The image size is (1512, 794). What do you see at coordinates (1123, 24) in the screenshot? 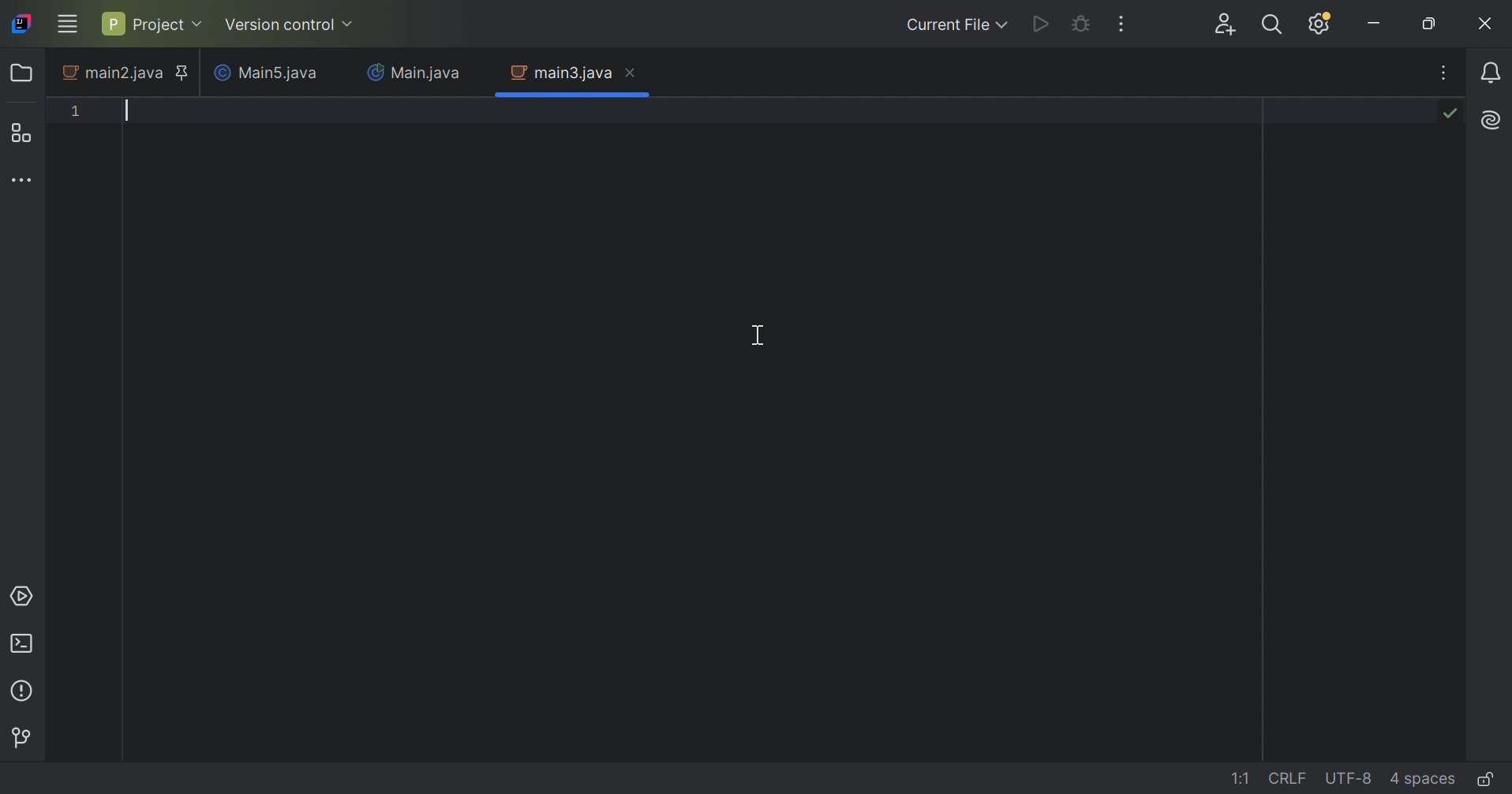
I see `More actions` at bounding box center [1123, 24].